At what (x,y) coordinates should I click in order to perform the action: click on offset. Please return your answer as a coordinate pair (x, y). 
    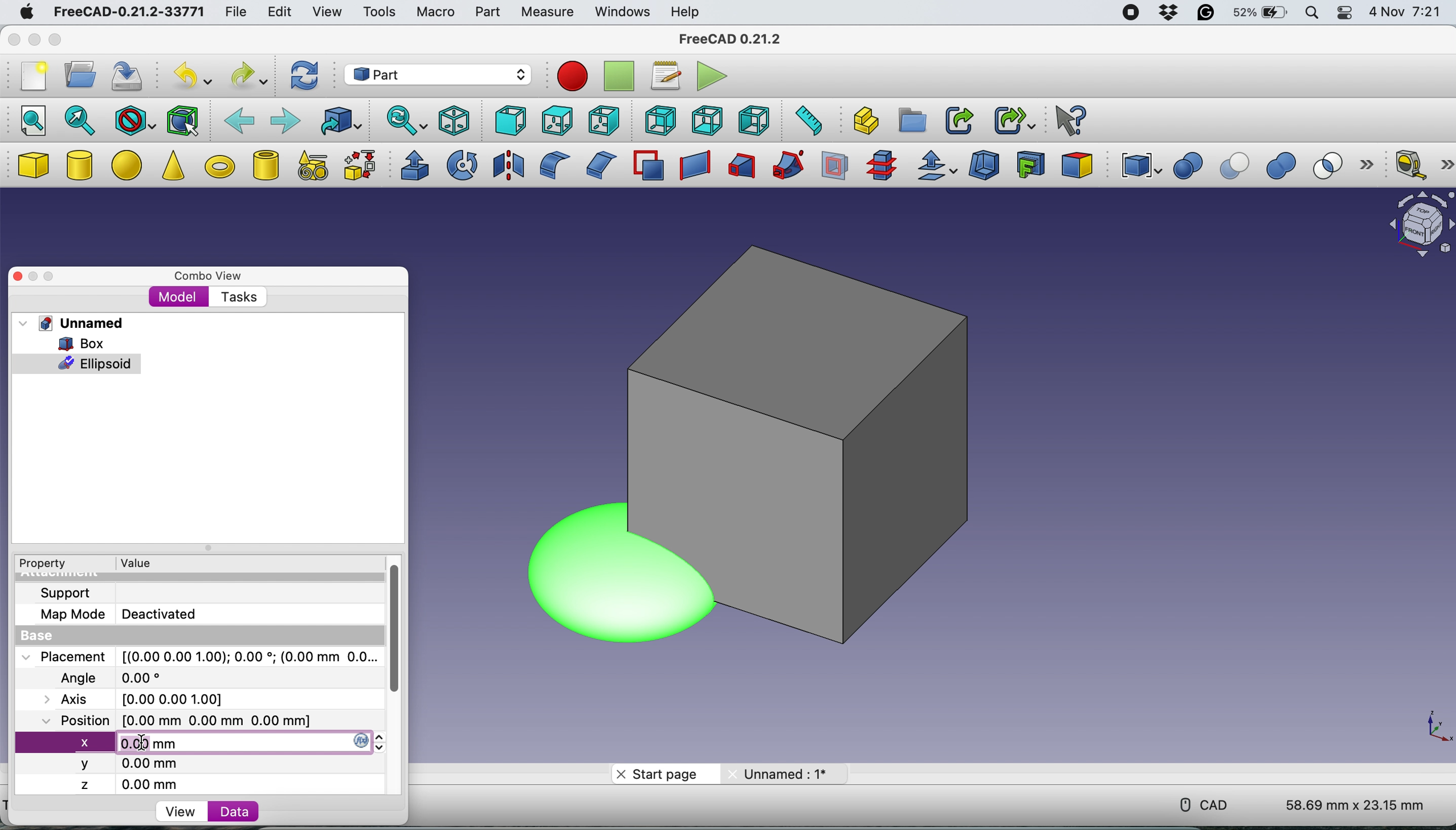
    Looking at the image, I should click on (937, 167).